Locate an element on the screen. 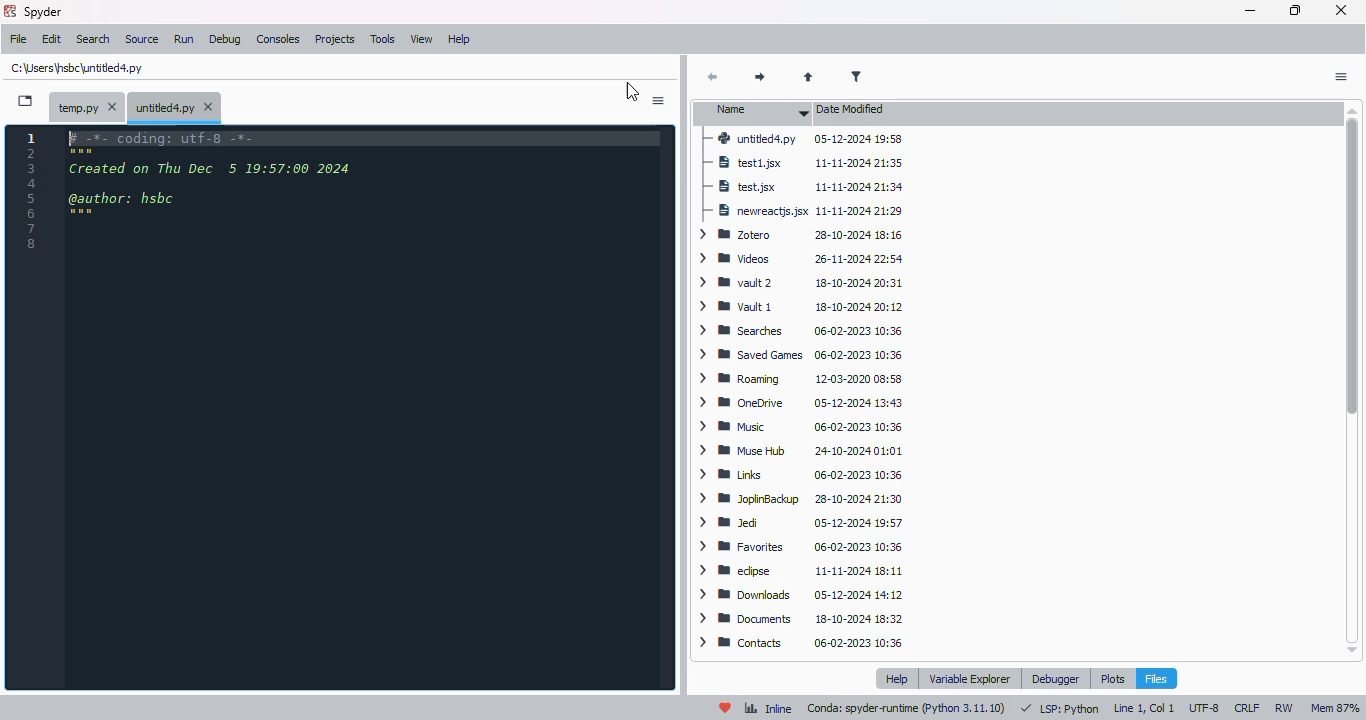 The width and height of the screenshot is (1366, 720). videos is located at coordinates (797, 309).